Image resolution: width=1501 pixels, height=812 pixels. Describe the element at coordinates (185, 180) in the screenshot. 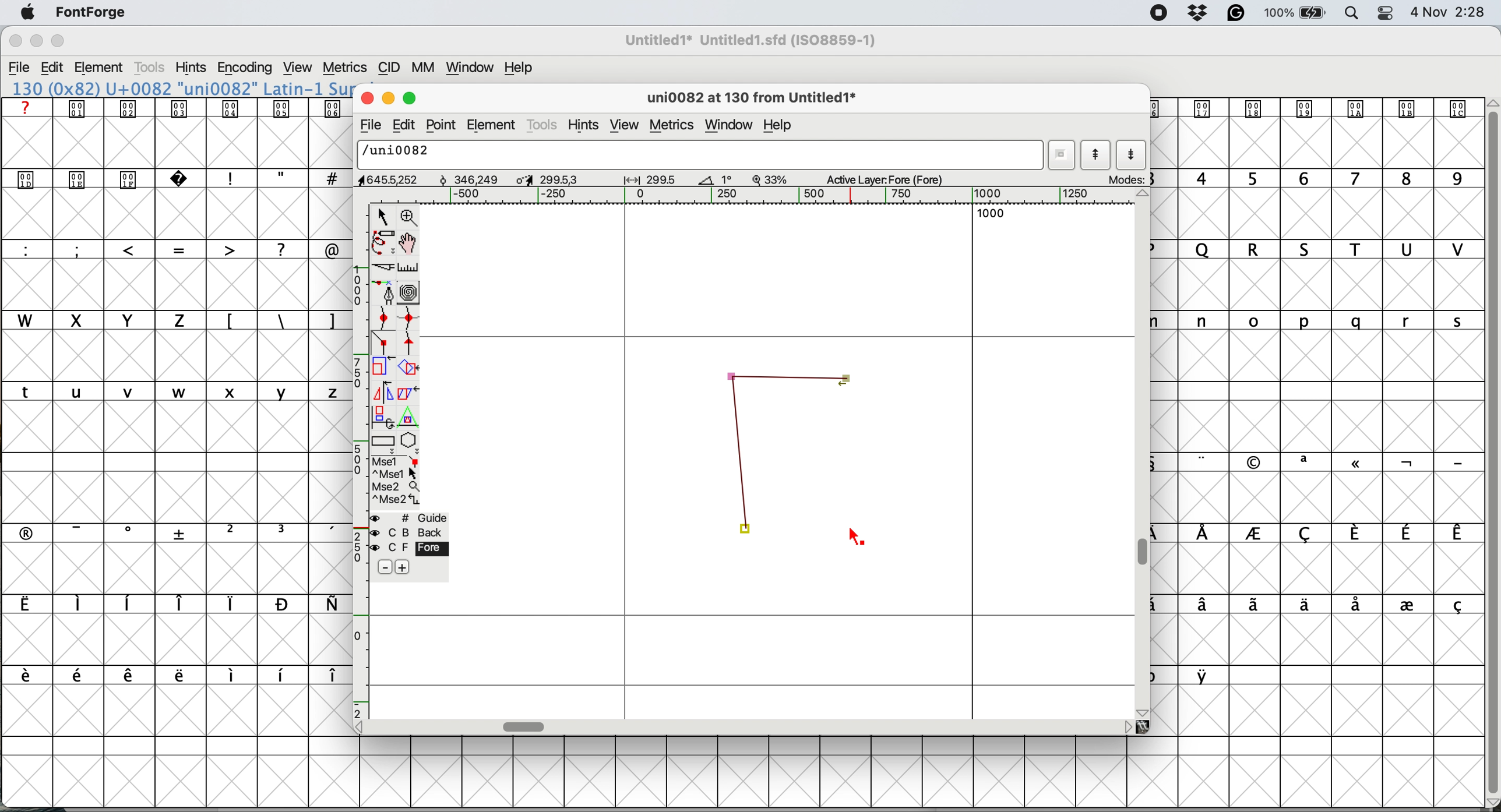

I see `symbols and special characters` at that location.